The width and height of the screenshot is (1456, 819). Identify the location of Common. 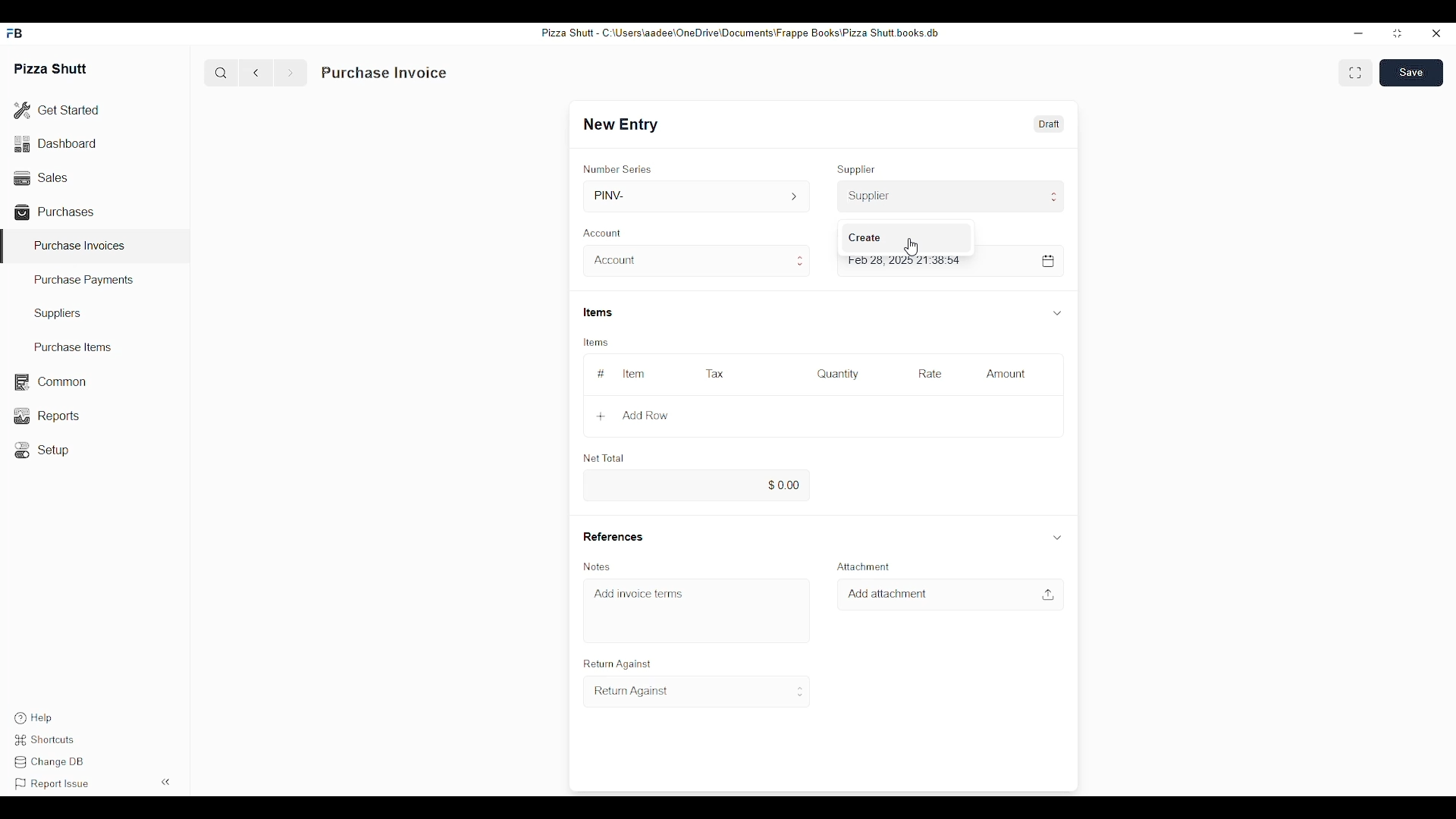
(49, 382).